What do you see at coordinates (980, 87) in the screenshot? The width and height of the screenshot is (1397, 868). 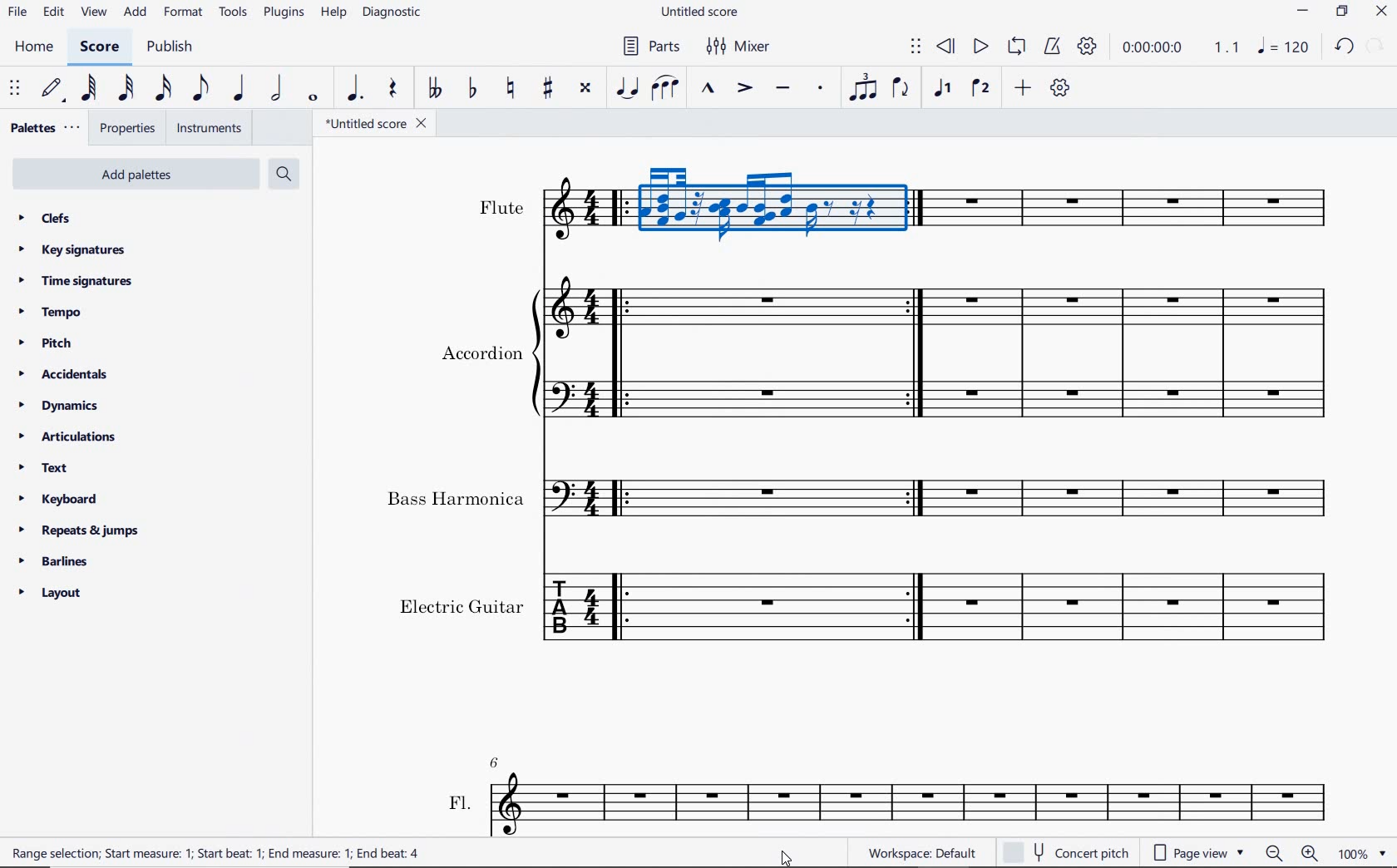 I see `voice 2` at bounding box center [980, 87].